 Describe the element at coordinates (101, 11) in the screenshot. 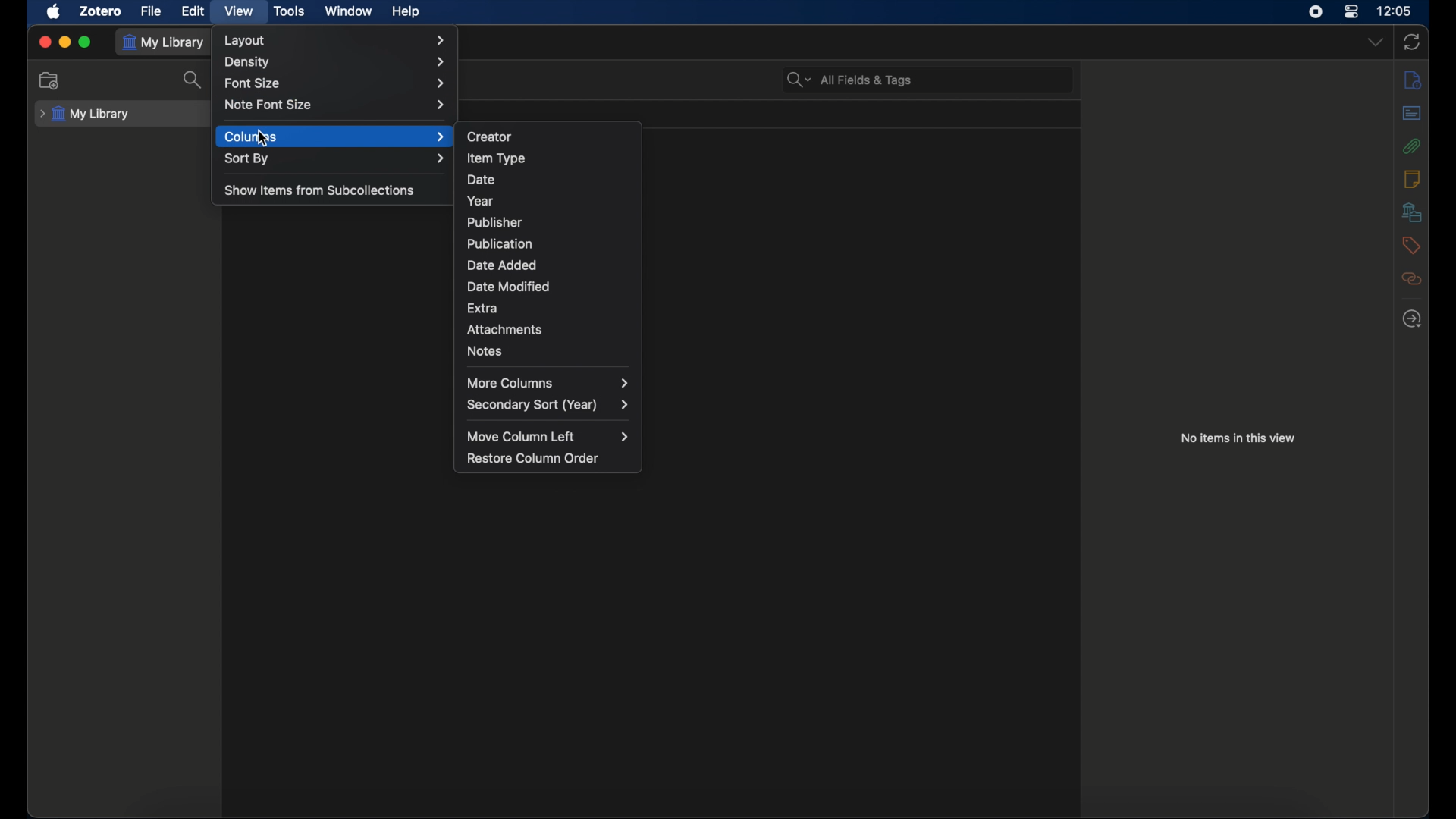

I see `zotero` at that location.